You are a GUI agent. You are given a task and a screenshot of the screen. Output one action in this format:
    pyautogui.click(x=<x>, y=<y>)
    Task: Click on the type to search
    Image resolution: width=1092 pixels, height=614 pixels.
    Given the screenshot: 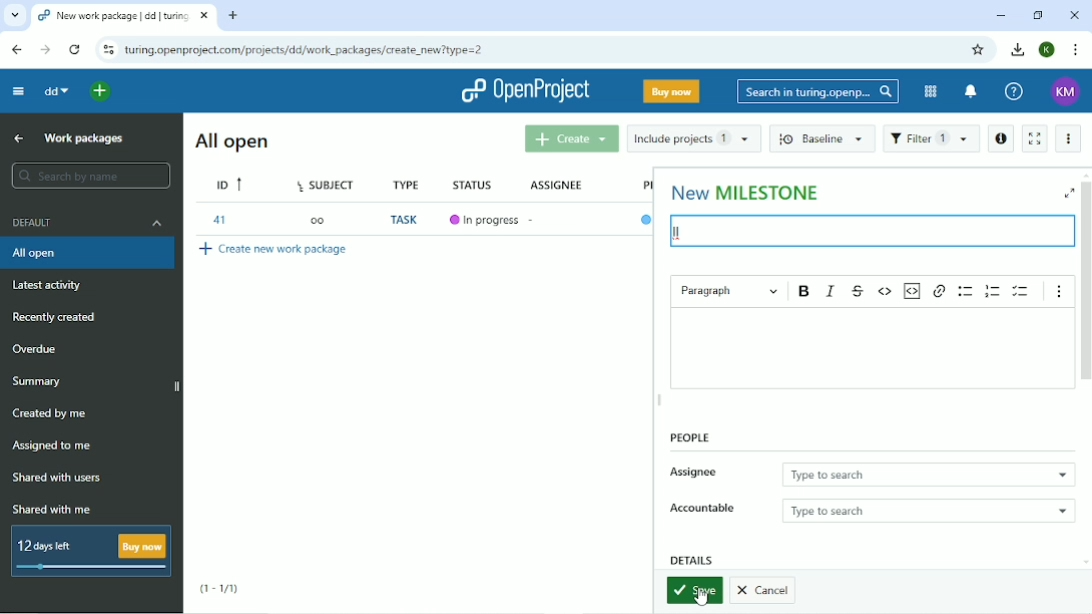 What is the action you would take?
    pyautogui.click(x=928, y=471)
    